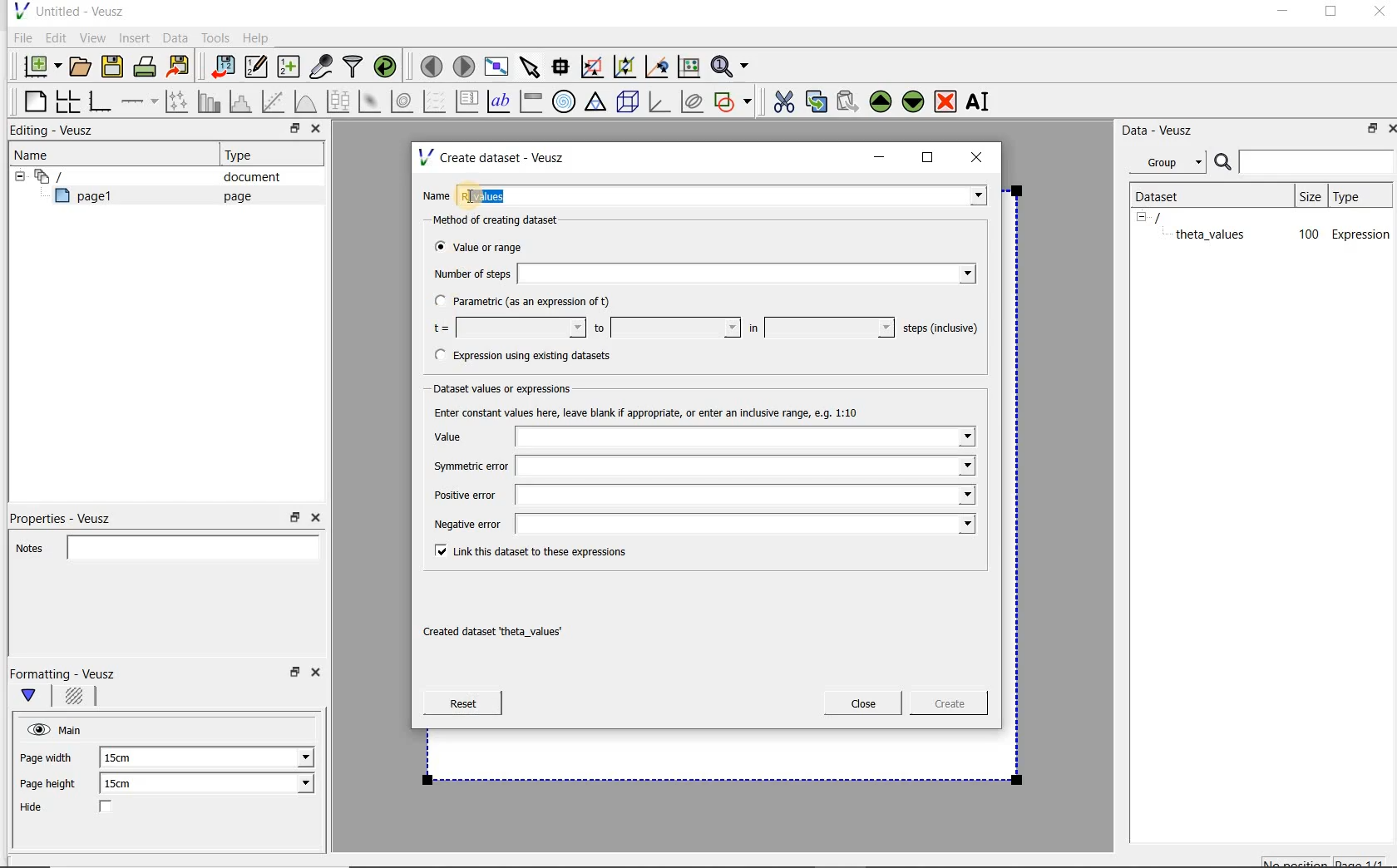  What do you see at coordinates (629, 103) in the screenshot?
I see `3d scene` at bounding box center [629, 103].